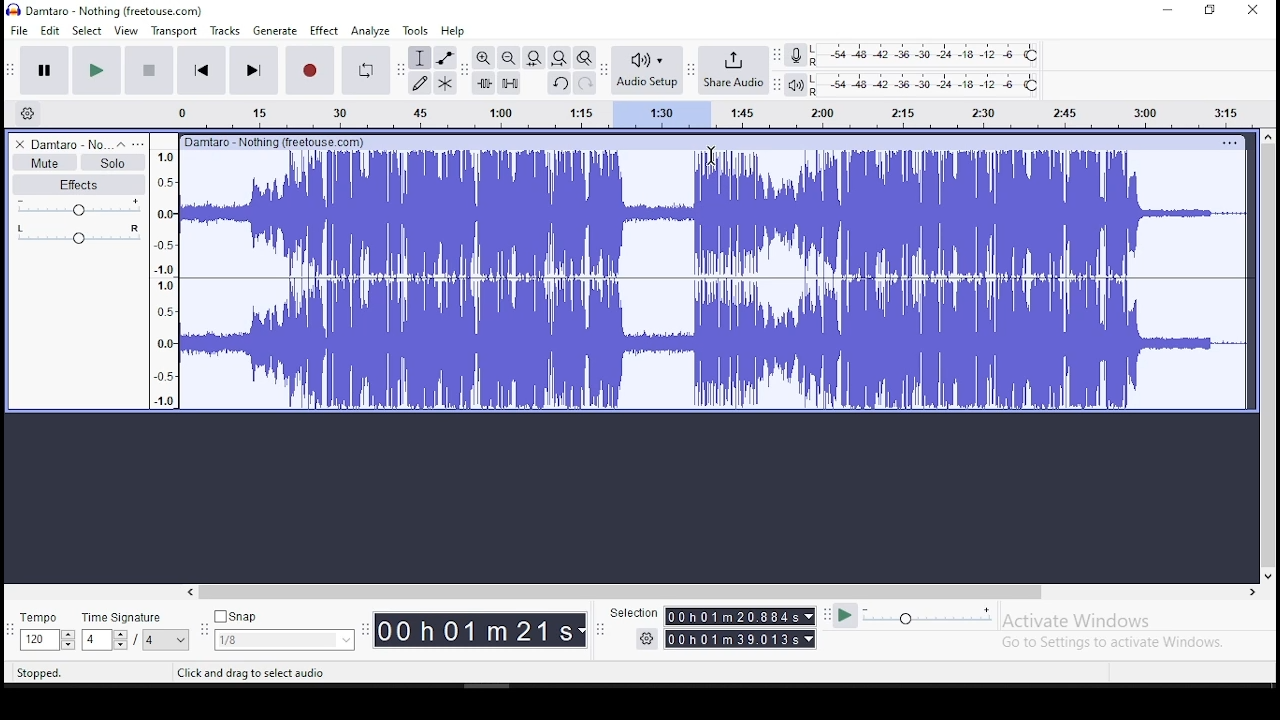 The image size is (1280, 720). What do you see at coordinates (776, 83) in the screenshot?
I see `` at bounding box center [776, 83].